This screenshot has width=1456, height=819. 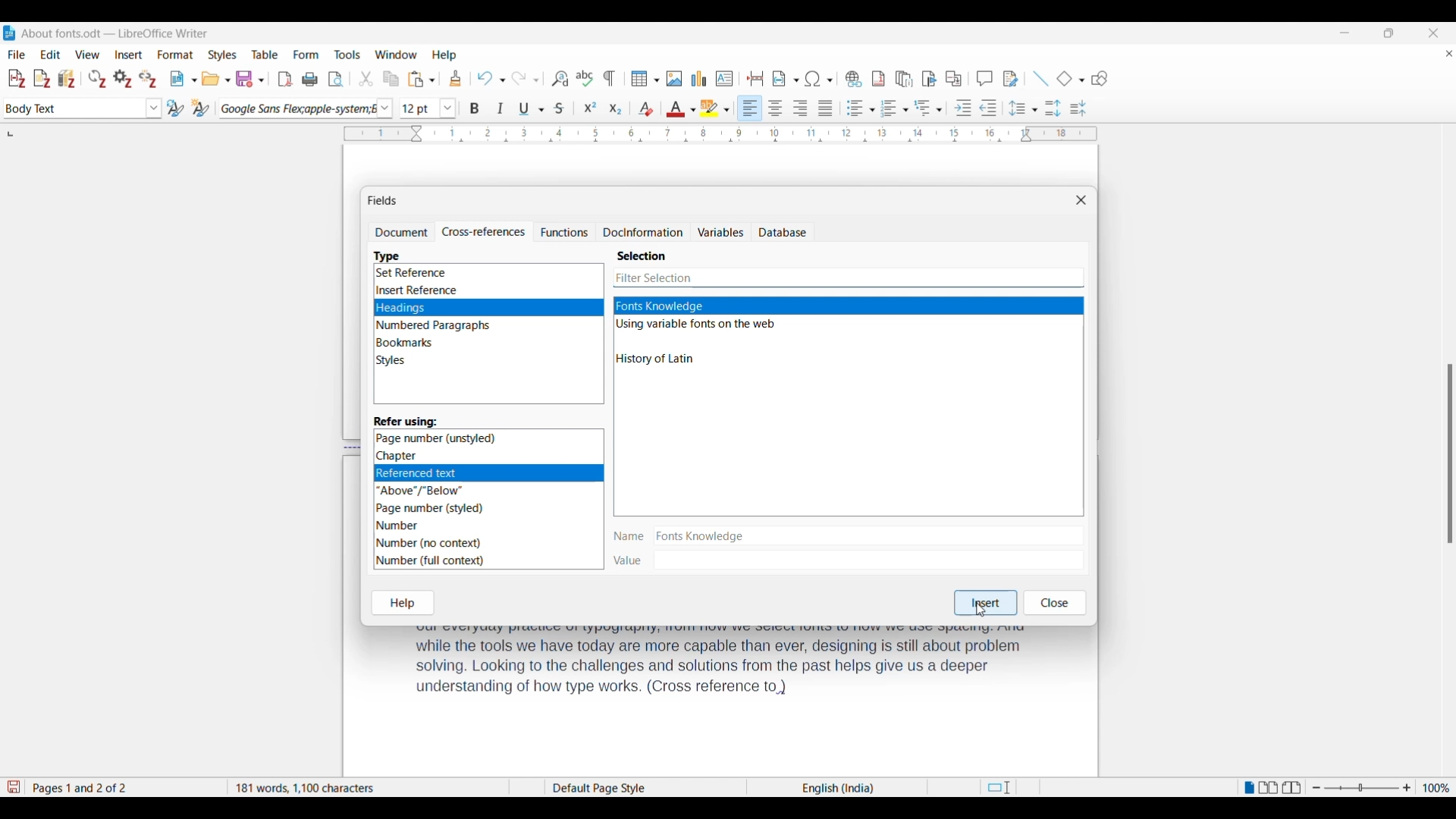 What do you see at coordinates (296, 108) in the screenshot?
I see `Current font` at bounding box center [296, 108].